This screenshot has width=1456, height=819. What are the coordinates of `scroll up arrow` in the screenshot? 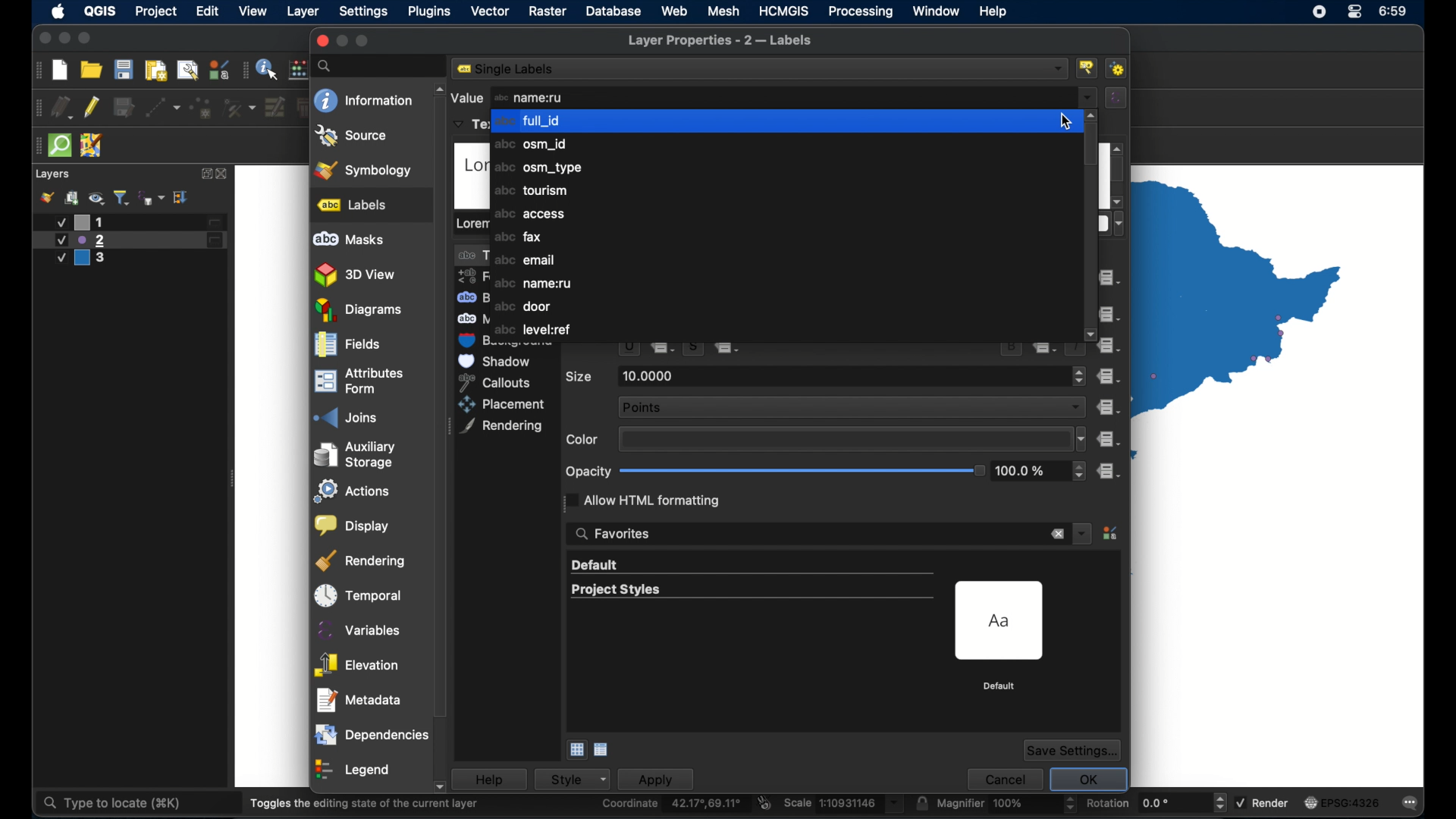 It's located at (1093, 115).